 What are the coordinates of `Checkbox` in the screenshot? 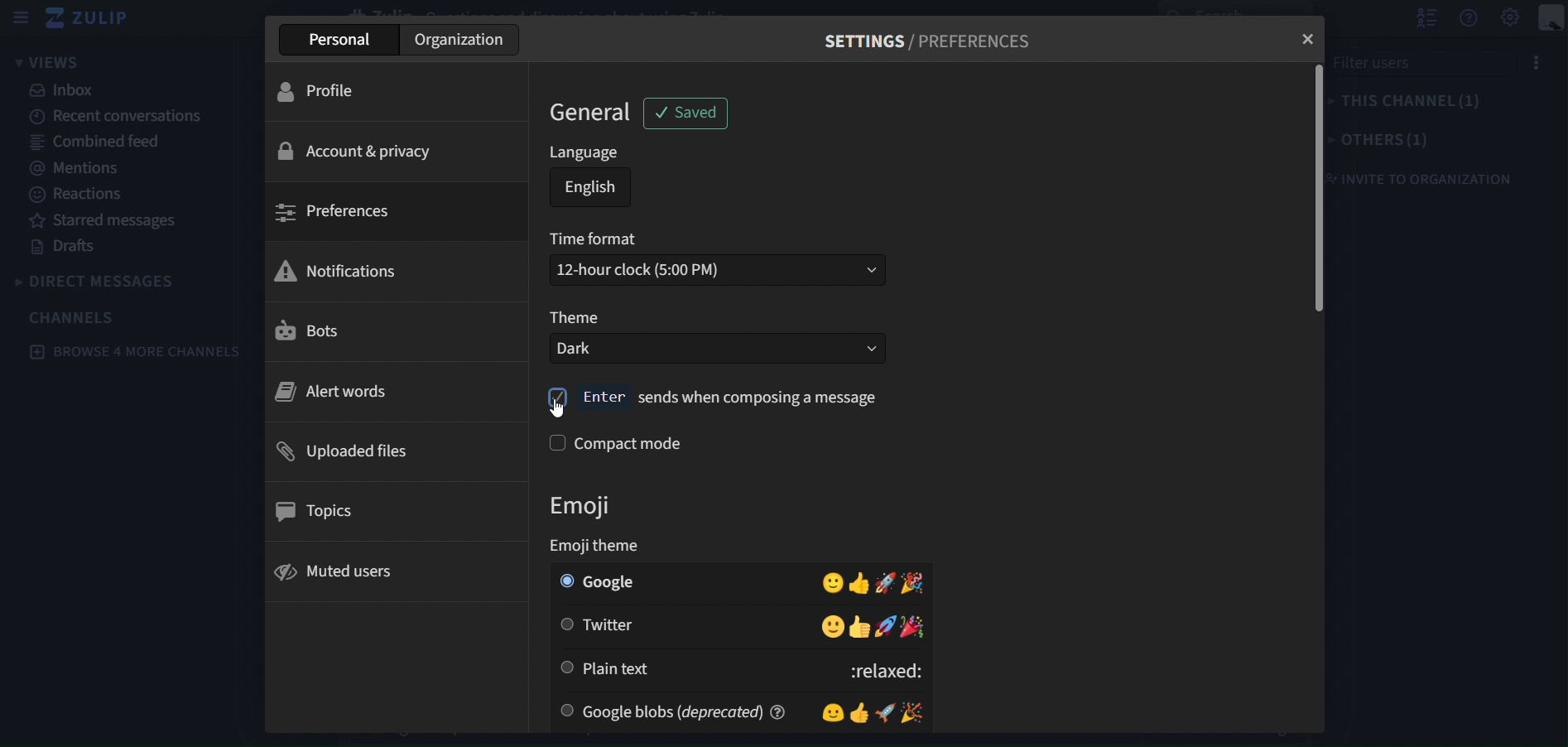 It's located at (565, 711).